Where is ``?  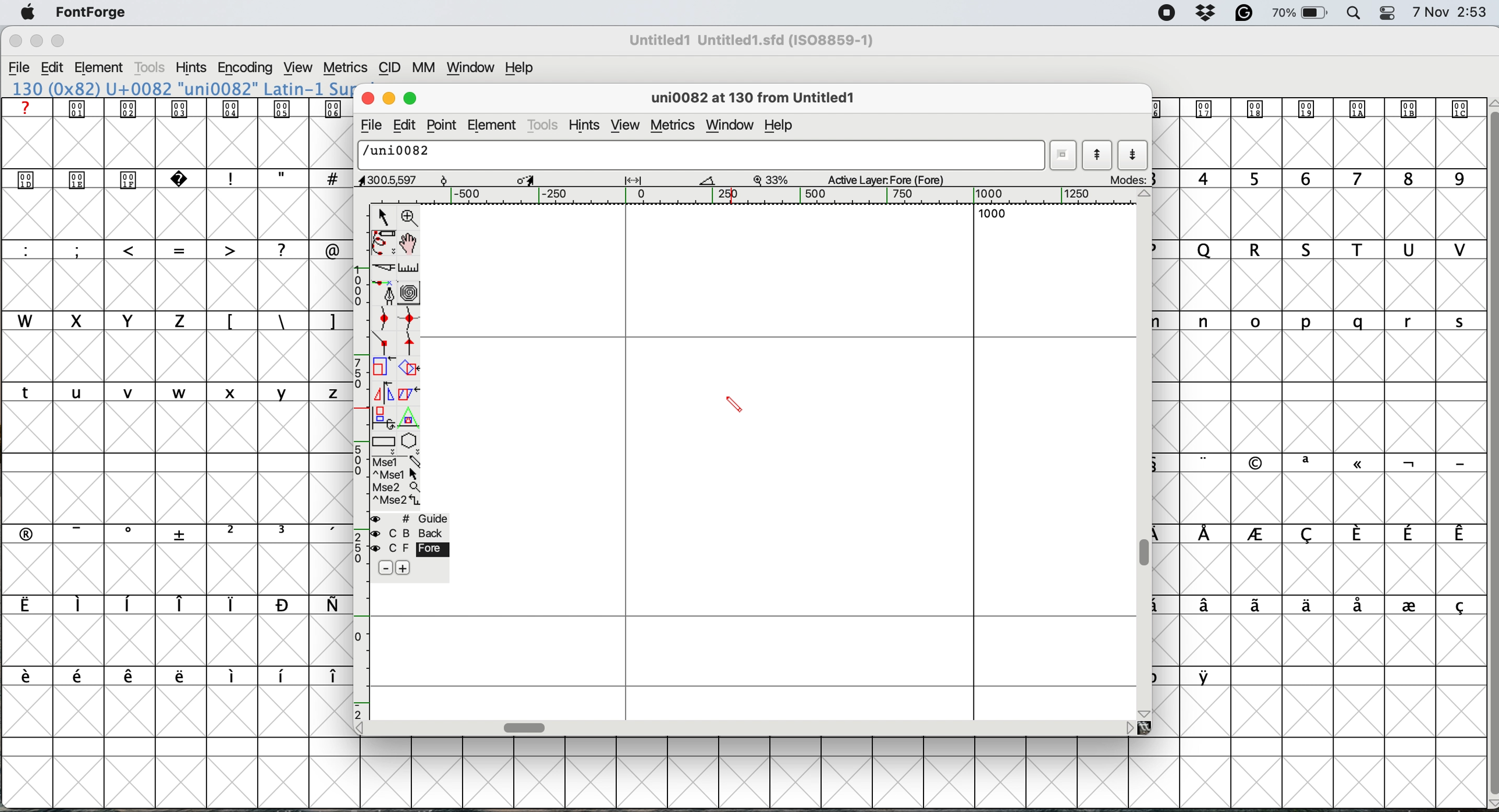
 is located at coordinates (59, 26).